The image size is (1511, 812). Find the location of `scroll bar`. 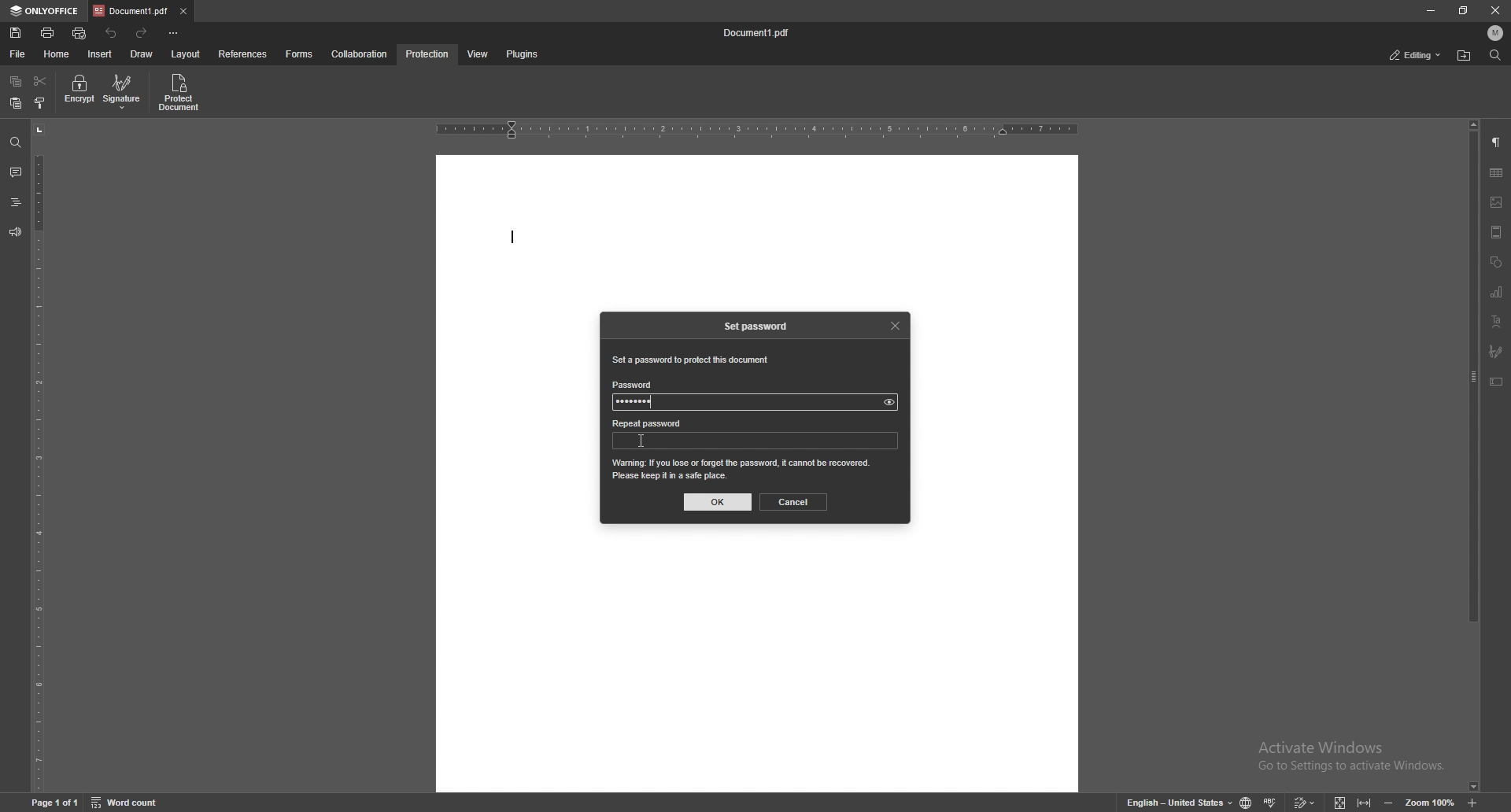

scroll bar is located at coordinates (1472, 456).